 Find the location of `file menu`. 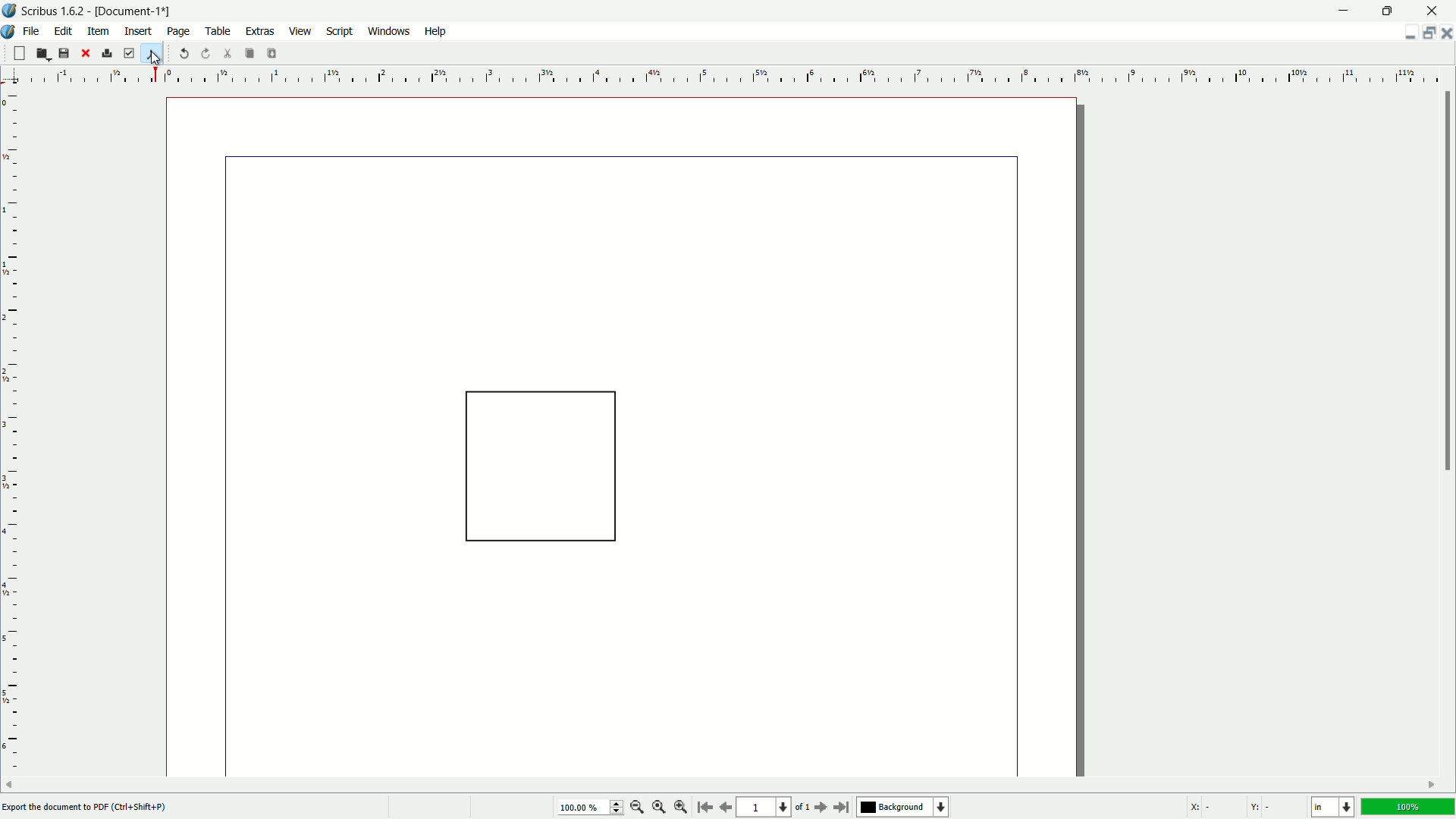

file menu is located at coordinates (33, 32).